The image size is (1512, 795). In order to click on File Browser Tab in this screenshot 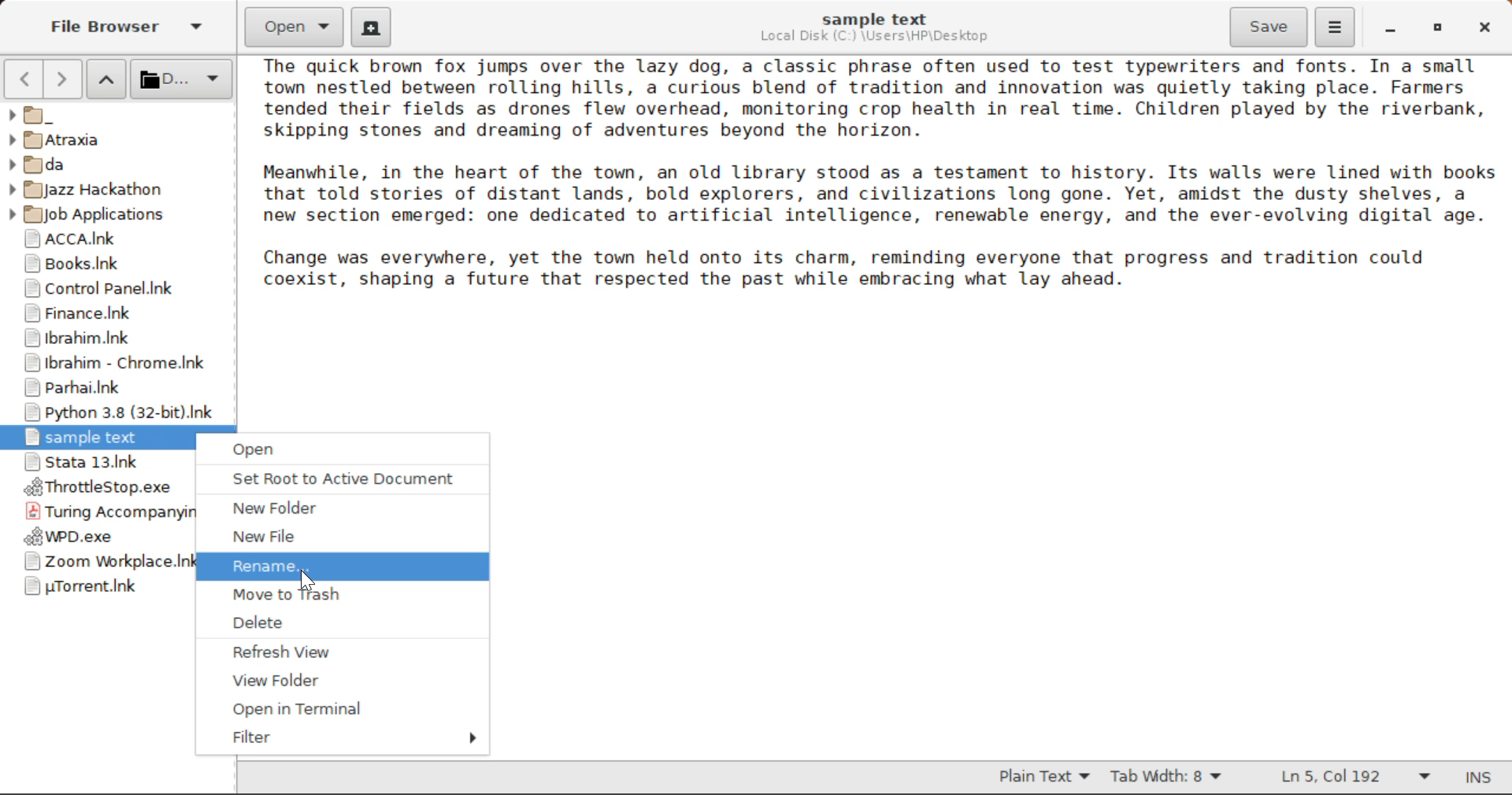, I will do `click(124, 28)`.